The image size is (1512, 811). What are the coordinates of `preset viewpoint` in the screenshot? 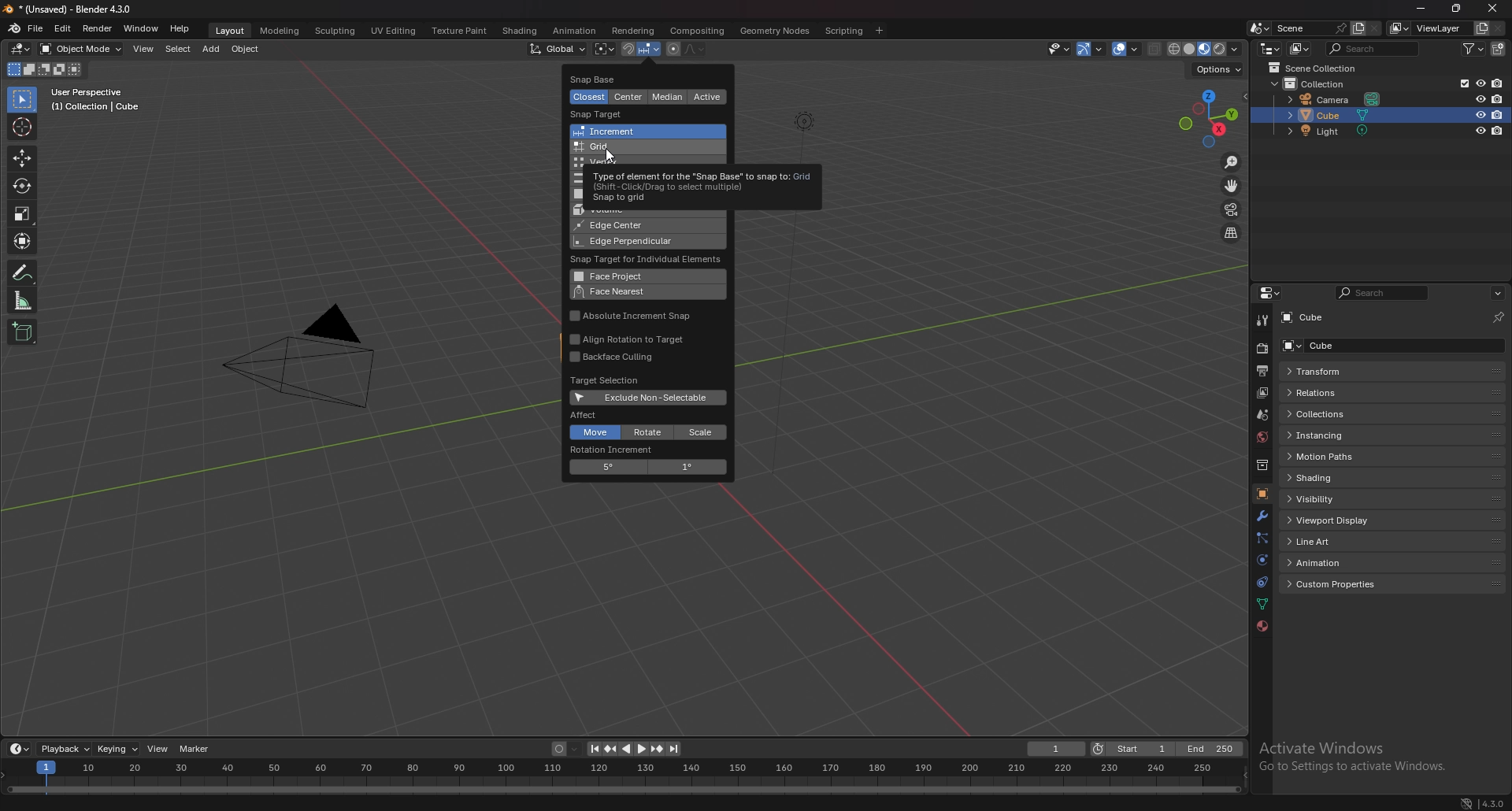 It's located at (1209, 119).